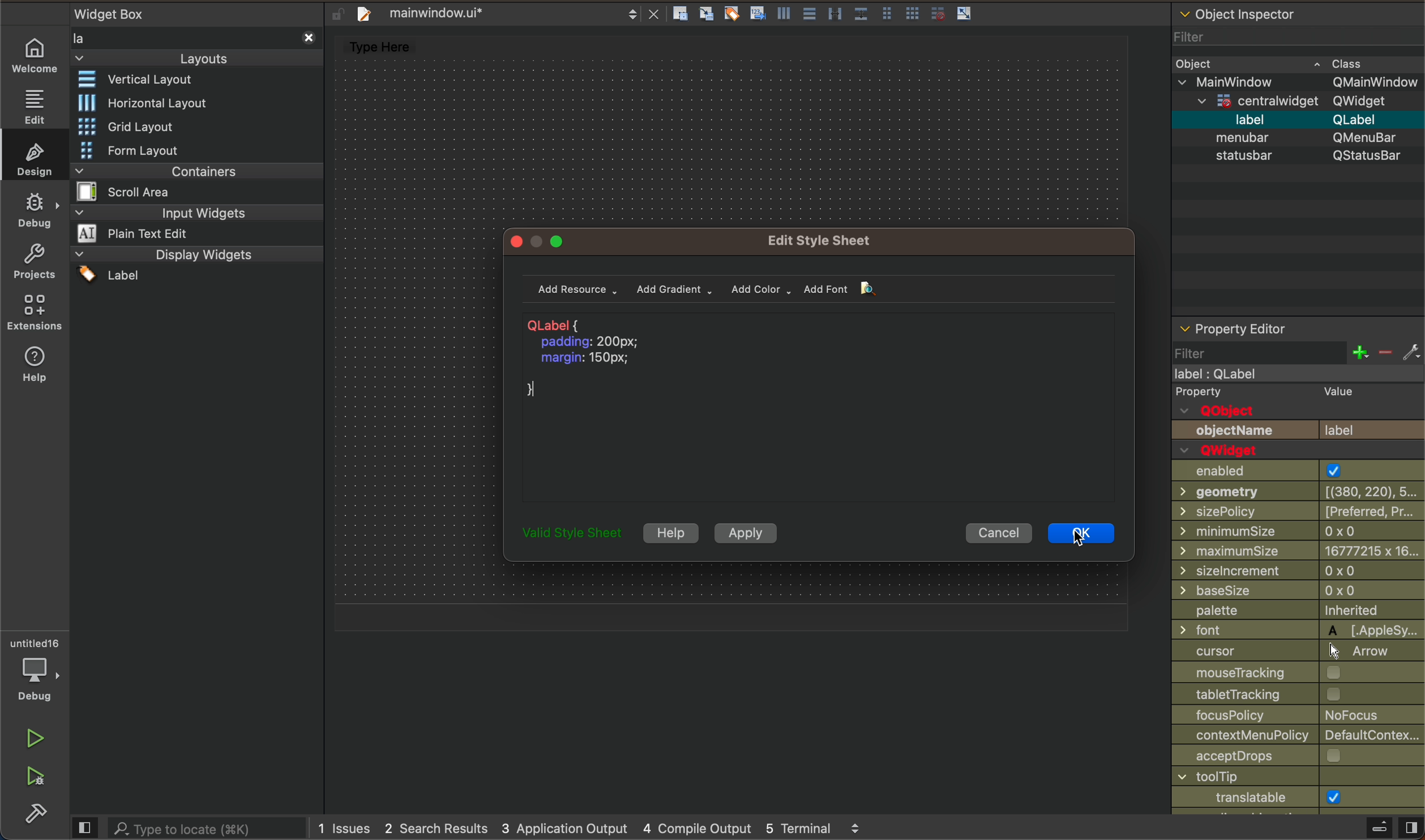 This screenshot has width=1425, height=840. Describe the element at coordinates (1000, 535) in the screenshot. I see `cancel` at that location.